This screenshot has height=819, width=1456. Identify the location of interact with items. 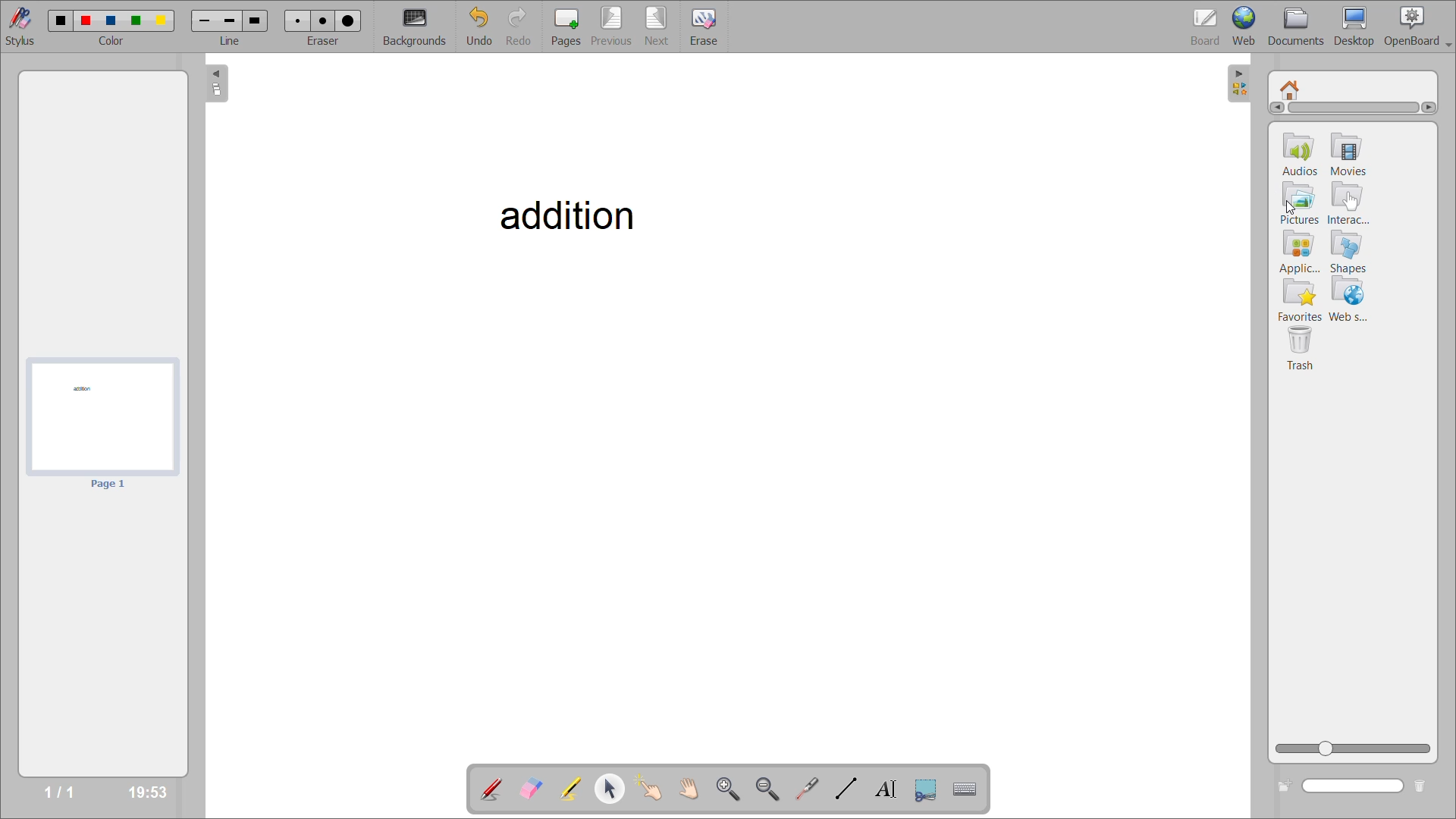
(654, 789).